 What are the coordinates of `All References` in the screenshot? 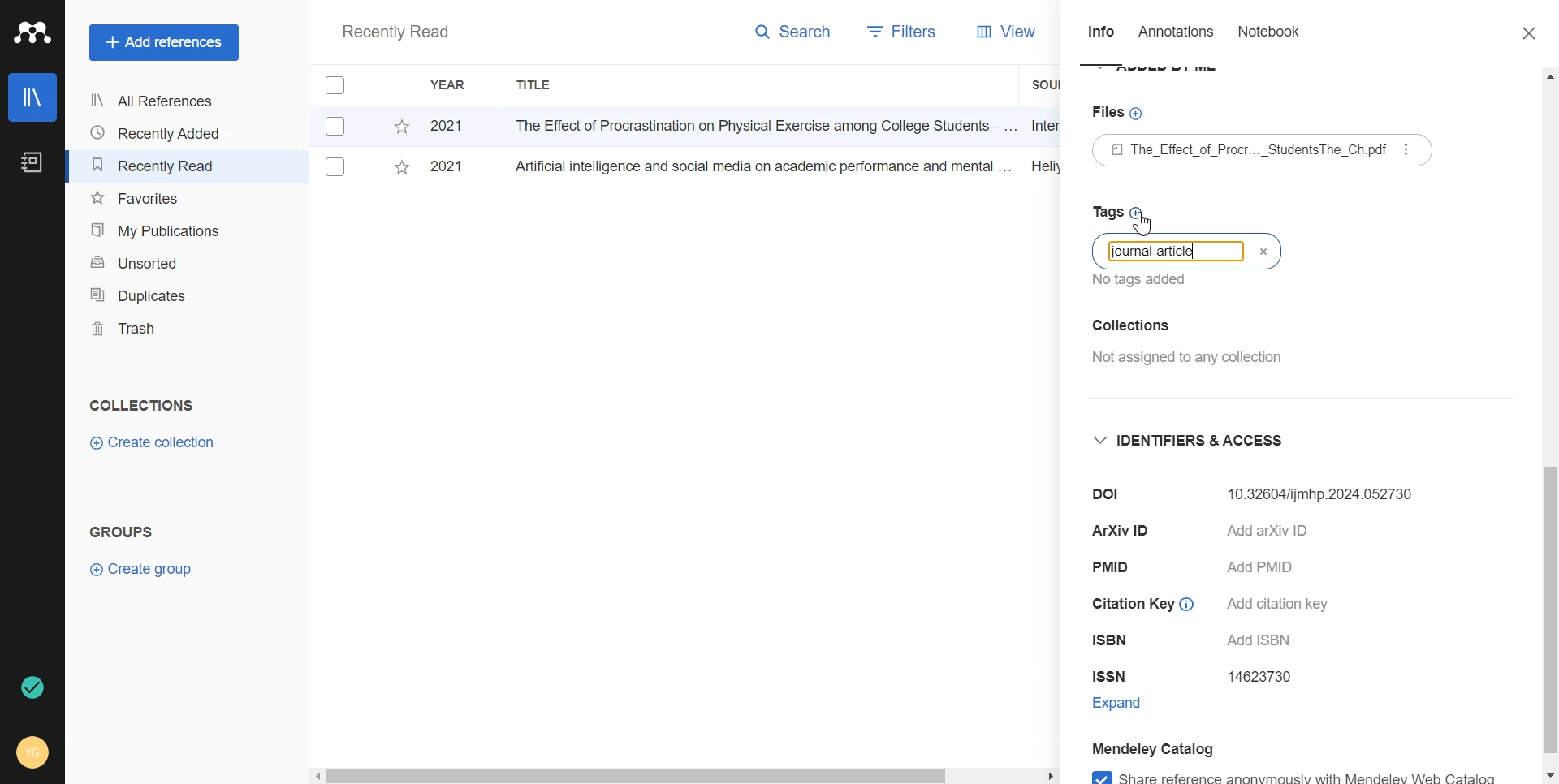 It's located at (158, 101).